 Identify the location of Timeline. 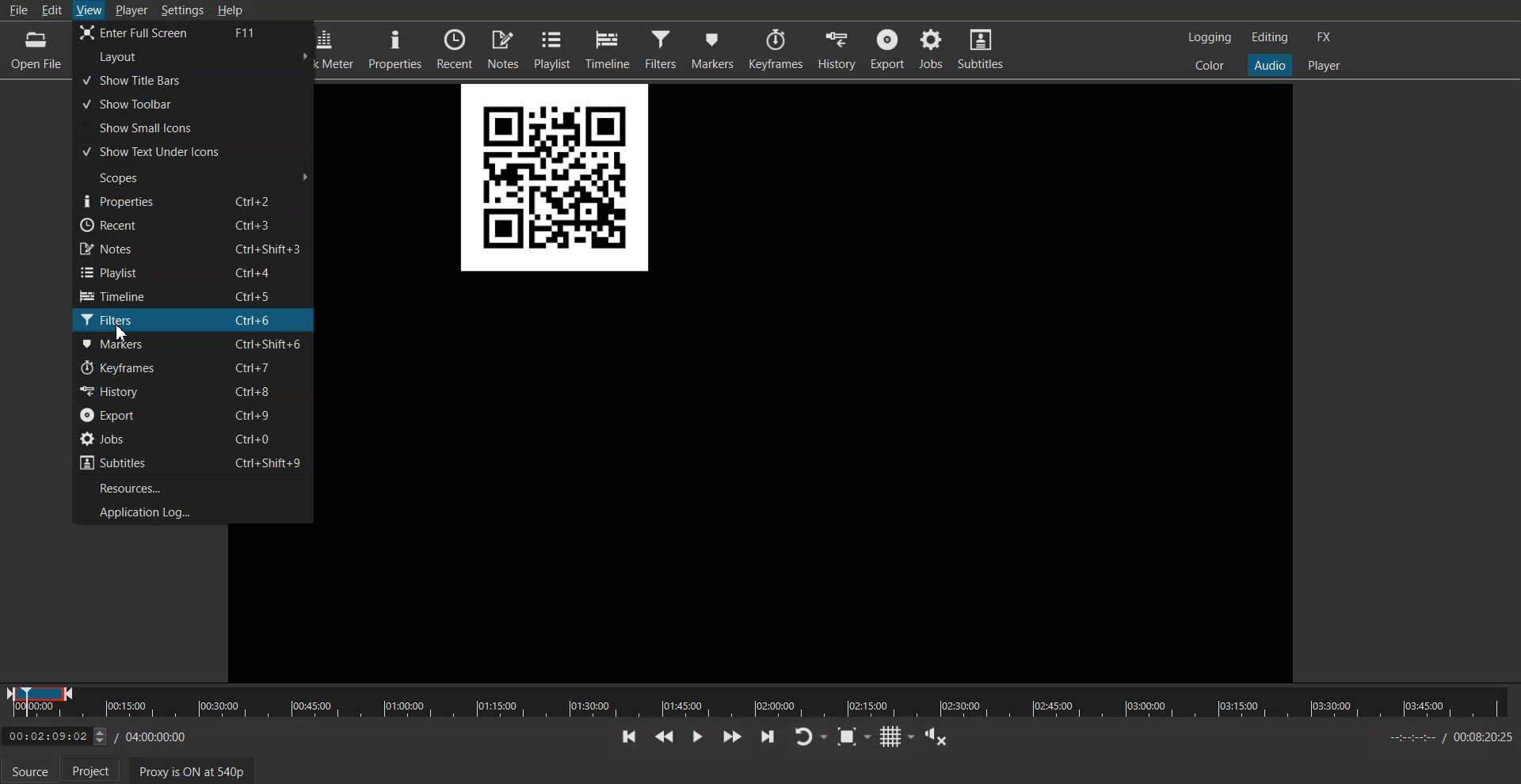
(608, 48).